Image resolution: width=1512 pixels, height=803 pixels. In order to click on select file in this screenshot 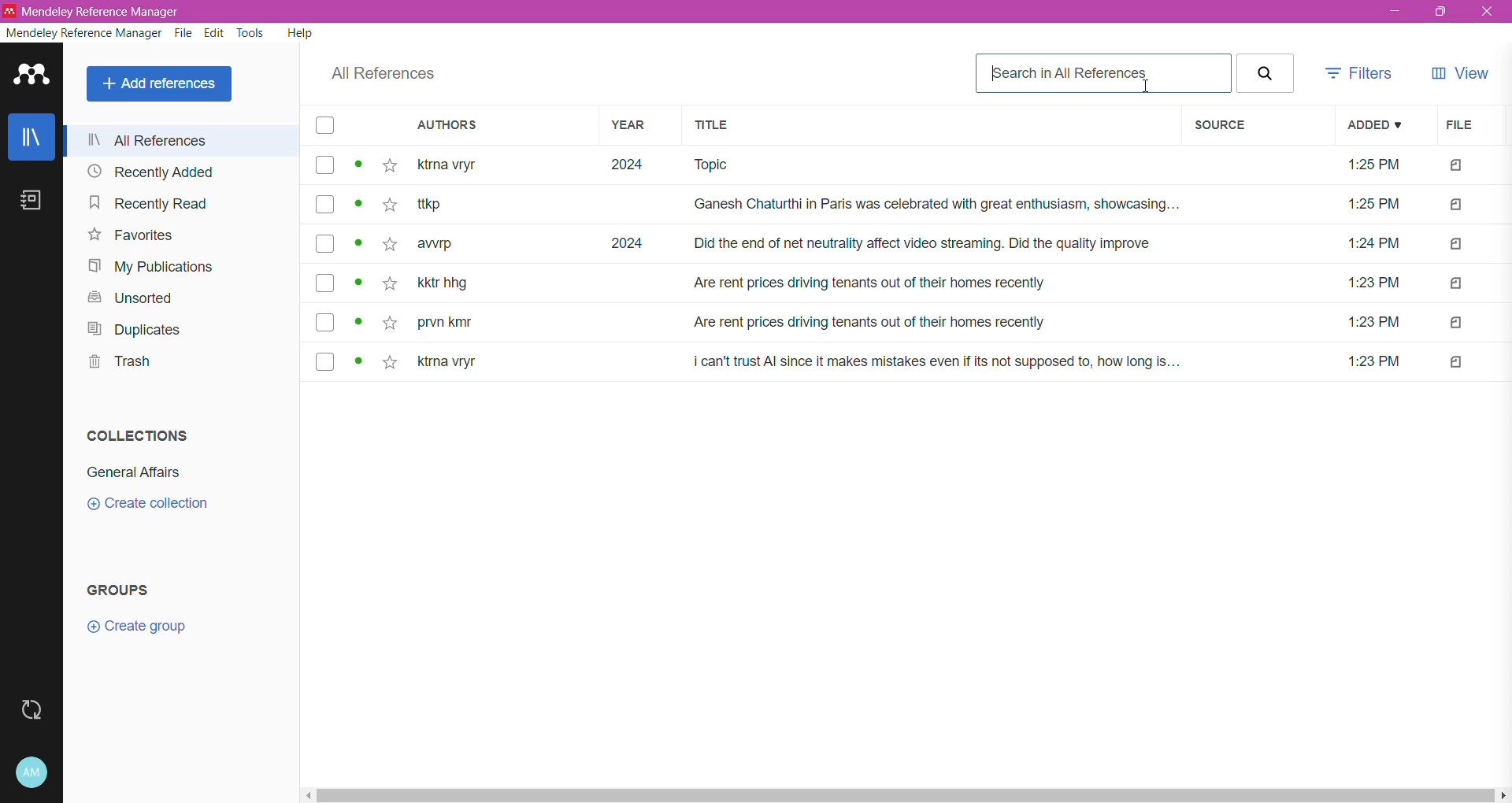, I will do `click(322, 206)`.